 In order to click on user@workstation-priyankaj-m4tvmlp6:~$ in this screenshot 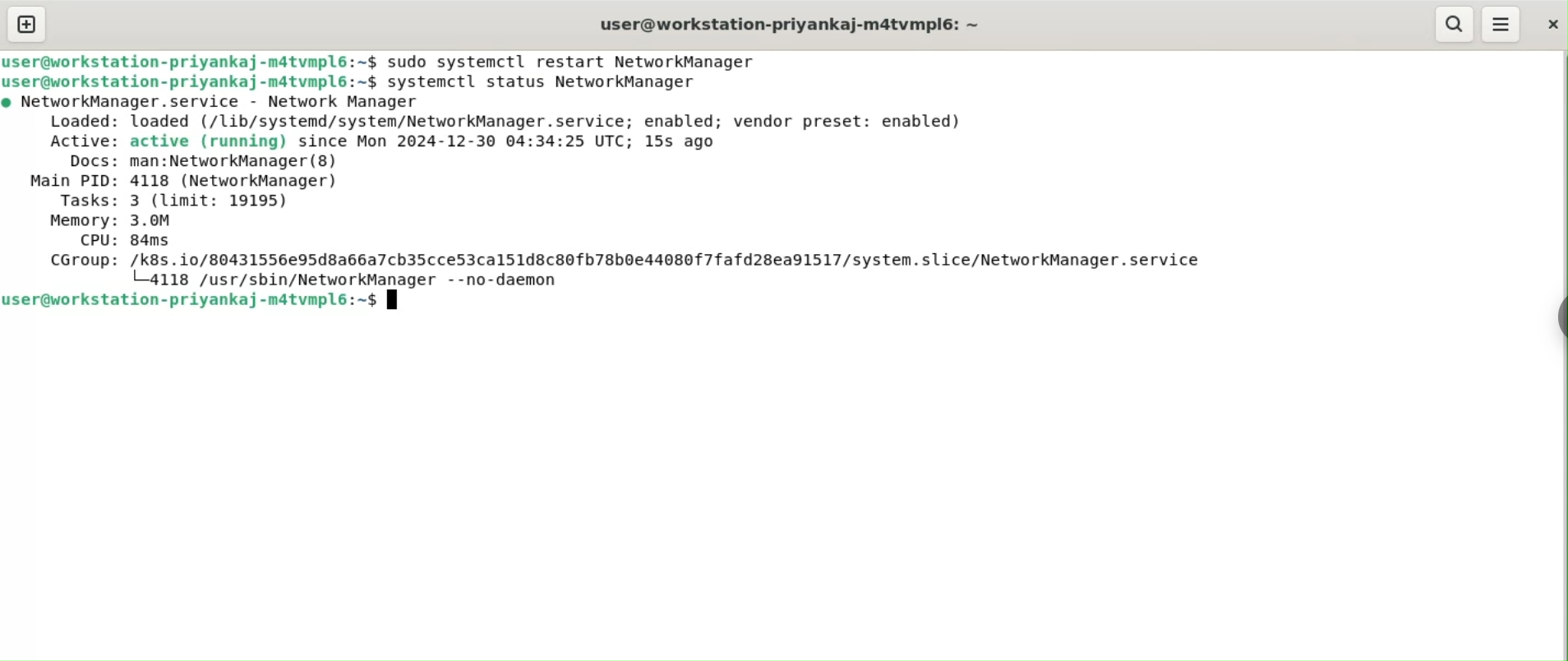, I will do `click(190, 82)`.